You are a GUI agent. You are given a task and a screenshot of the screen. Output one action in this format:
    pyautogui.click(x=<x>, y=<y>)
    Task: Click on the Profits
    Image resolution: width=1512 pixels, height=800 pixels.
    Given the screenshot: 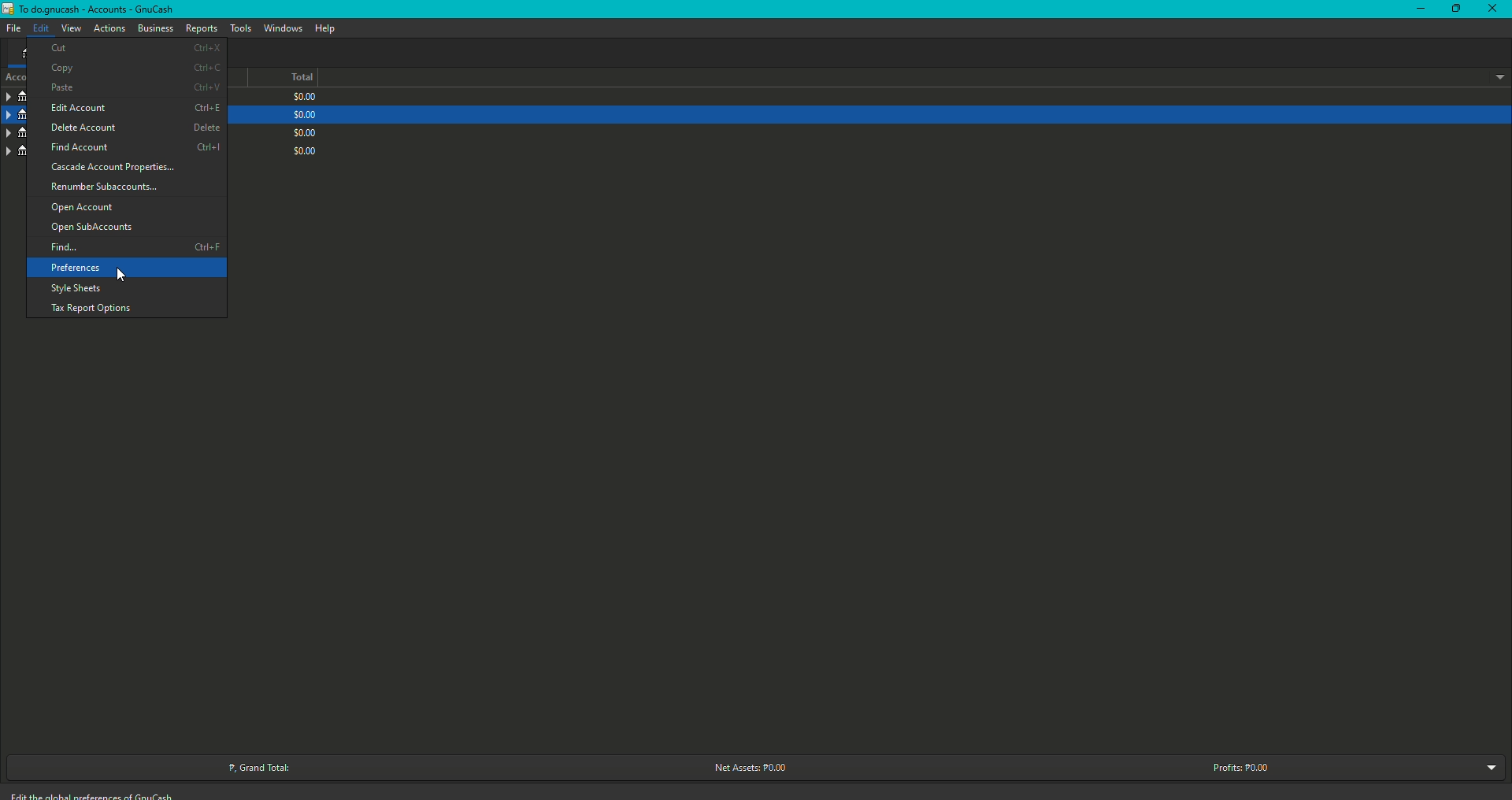 What is the action you would take?
    pyautogui.click(x=1241, y=769)
    